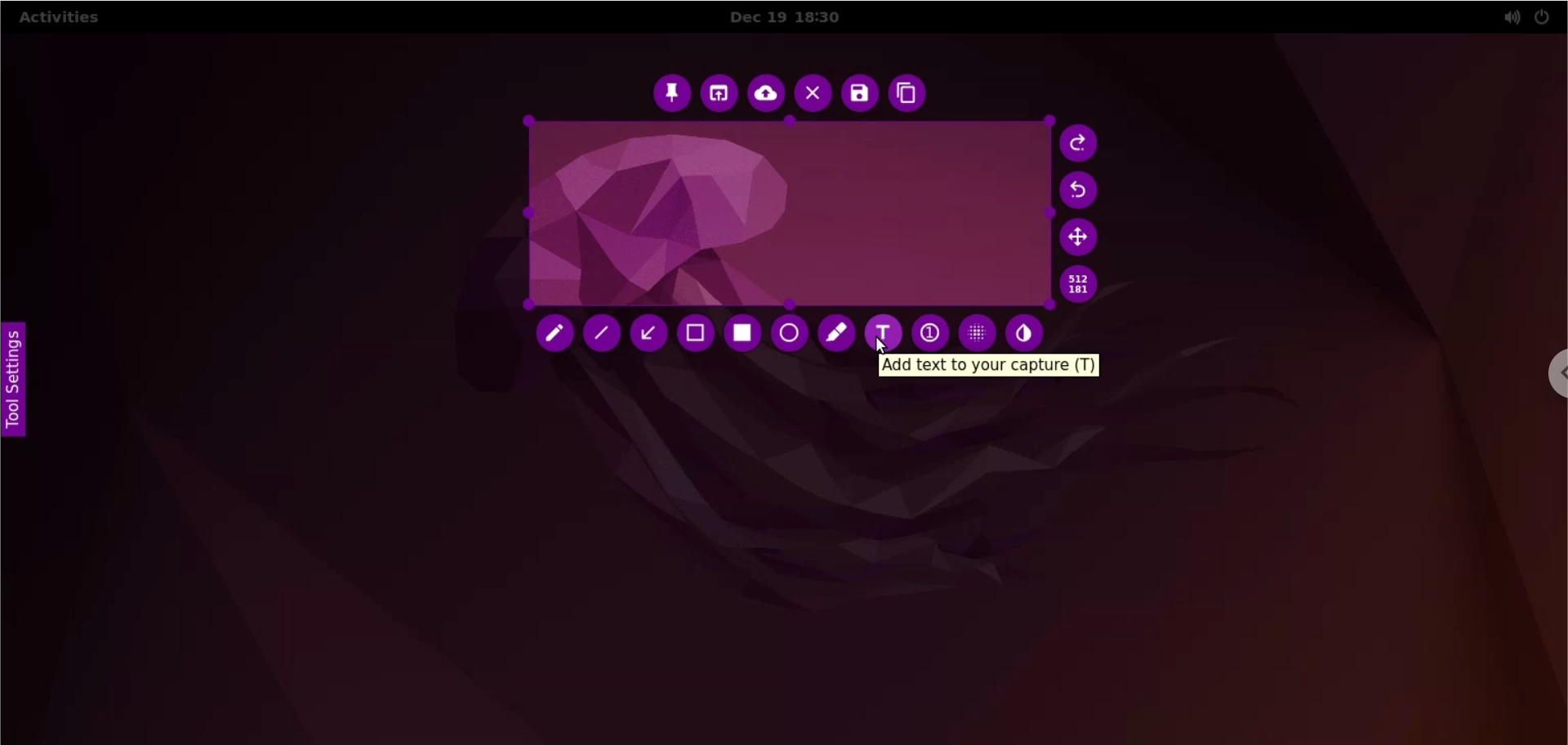  Describe the element at coordinates (1085, 287) in the screenshot. I see `x and y coordinates values` at that location.